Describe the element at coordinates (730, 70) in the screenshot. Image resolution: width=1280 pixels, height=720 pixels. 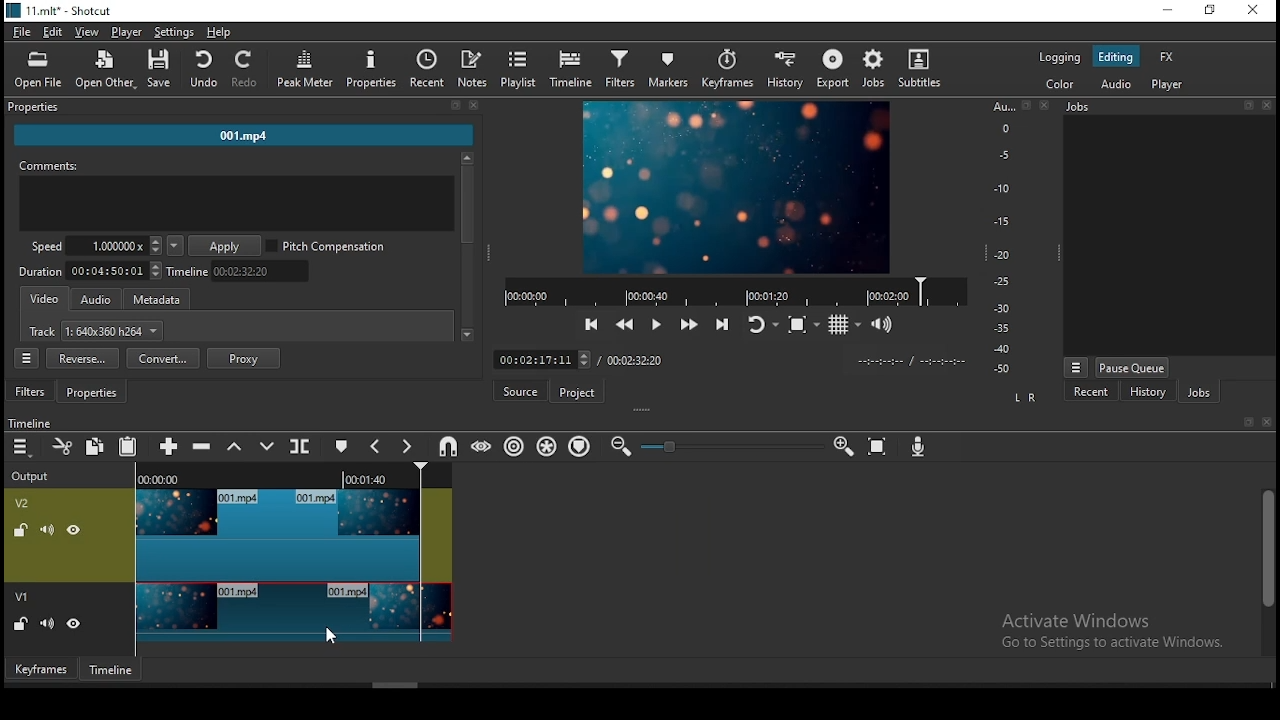
I see `keyframes` at that location.